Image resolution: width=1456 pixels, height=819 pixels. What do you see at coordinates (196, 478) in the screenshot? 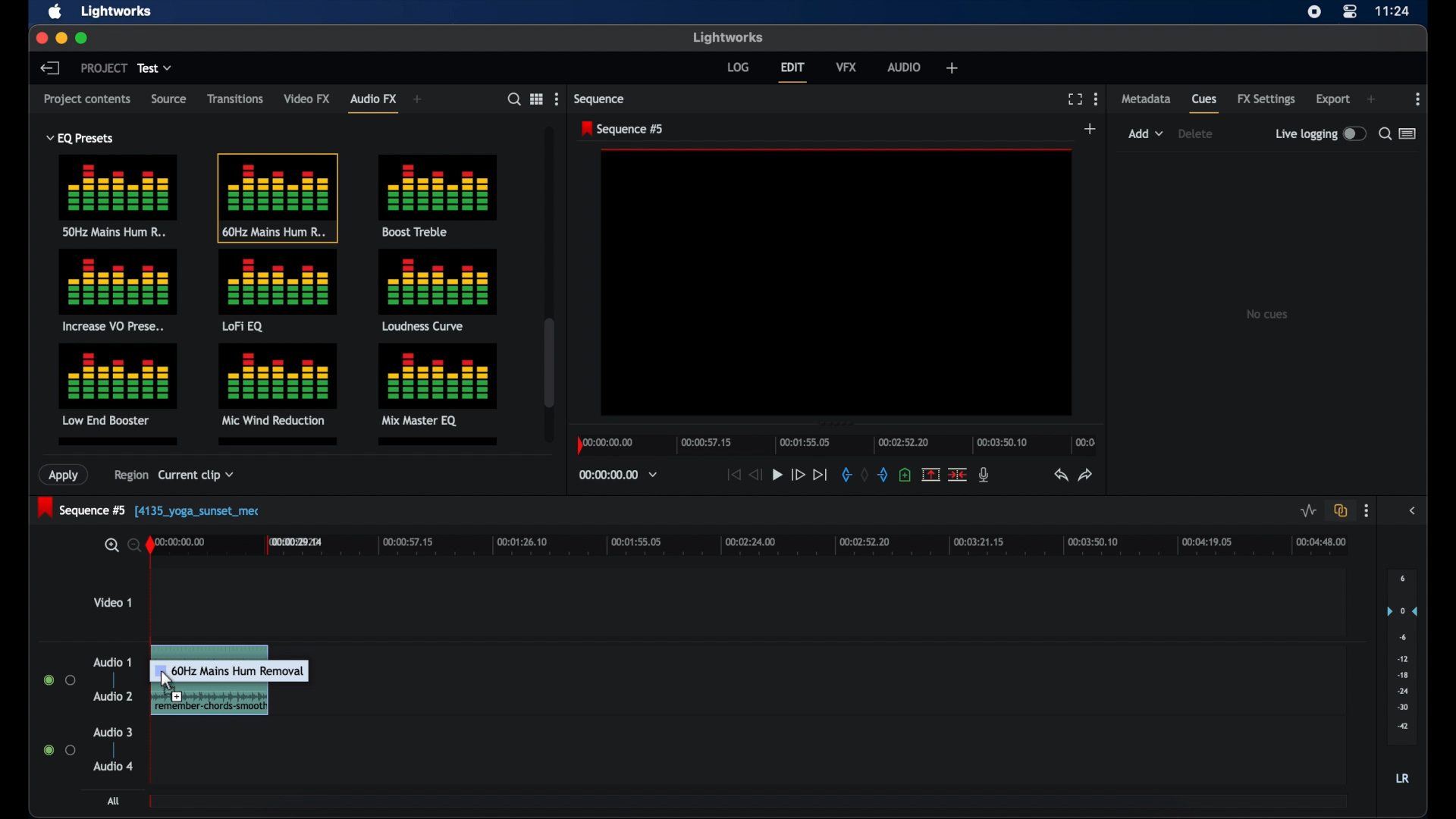
I see `current clip` at bounding box center [196, 478].